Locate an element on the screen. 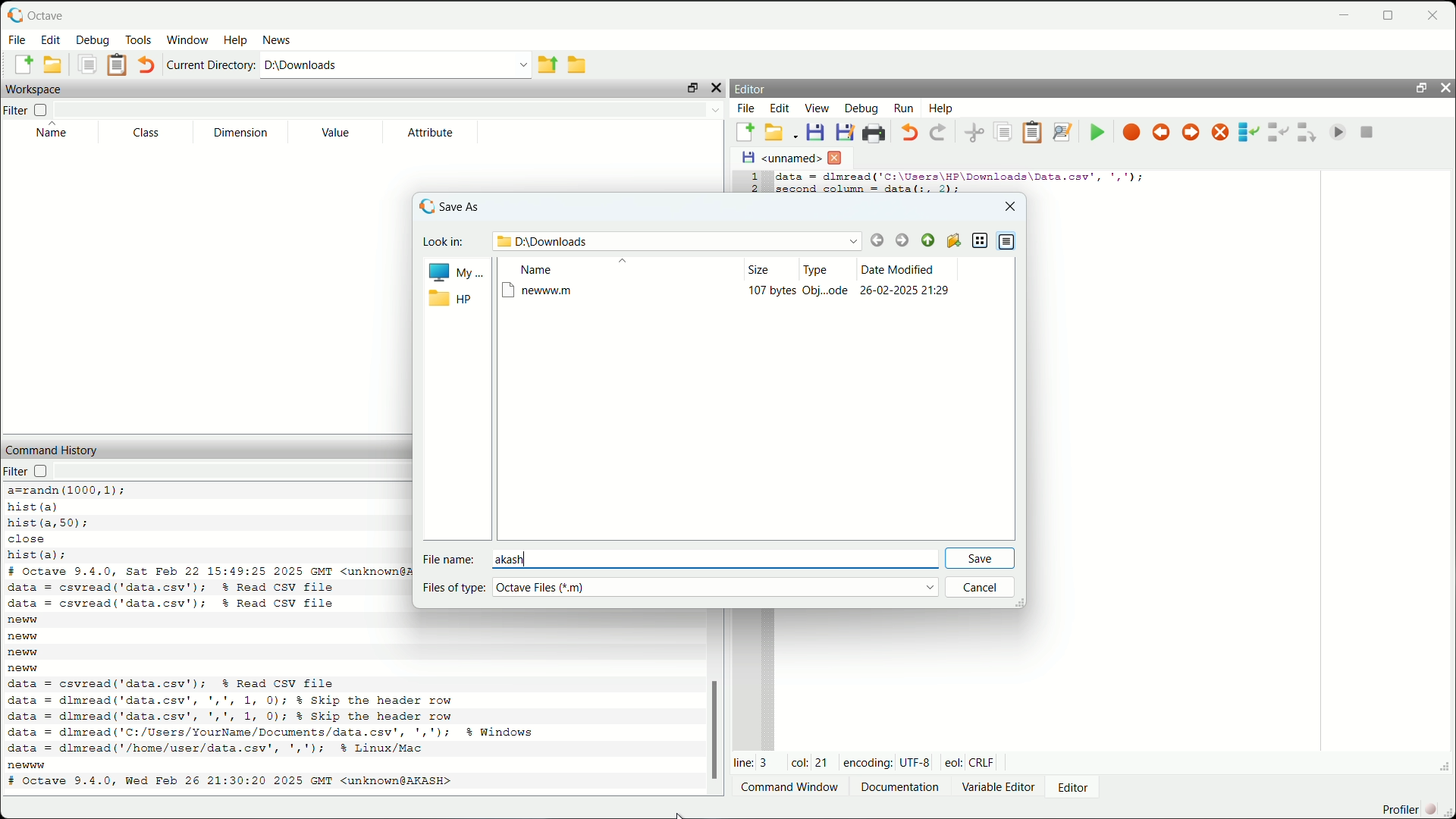 Image resolution: width=1456 pixels, height=819 pixels. step out is located at coordinates (1305, 134).